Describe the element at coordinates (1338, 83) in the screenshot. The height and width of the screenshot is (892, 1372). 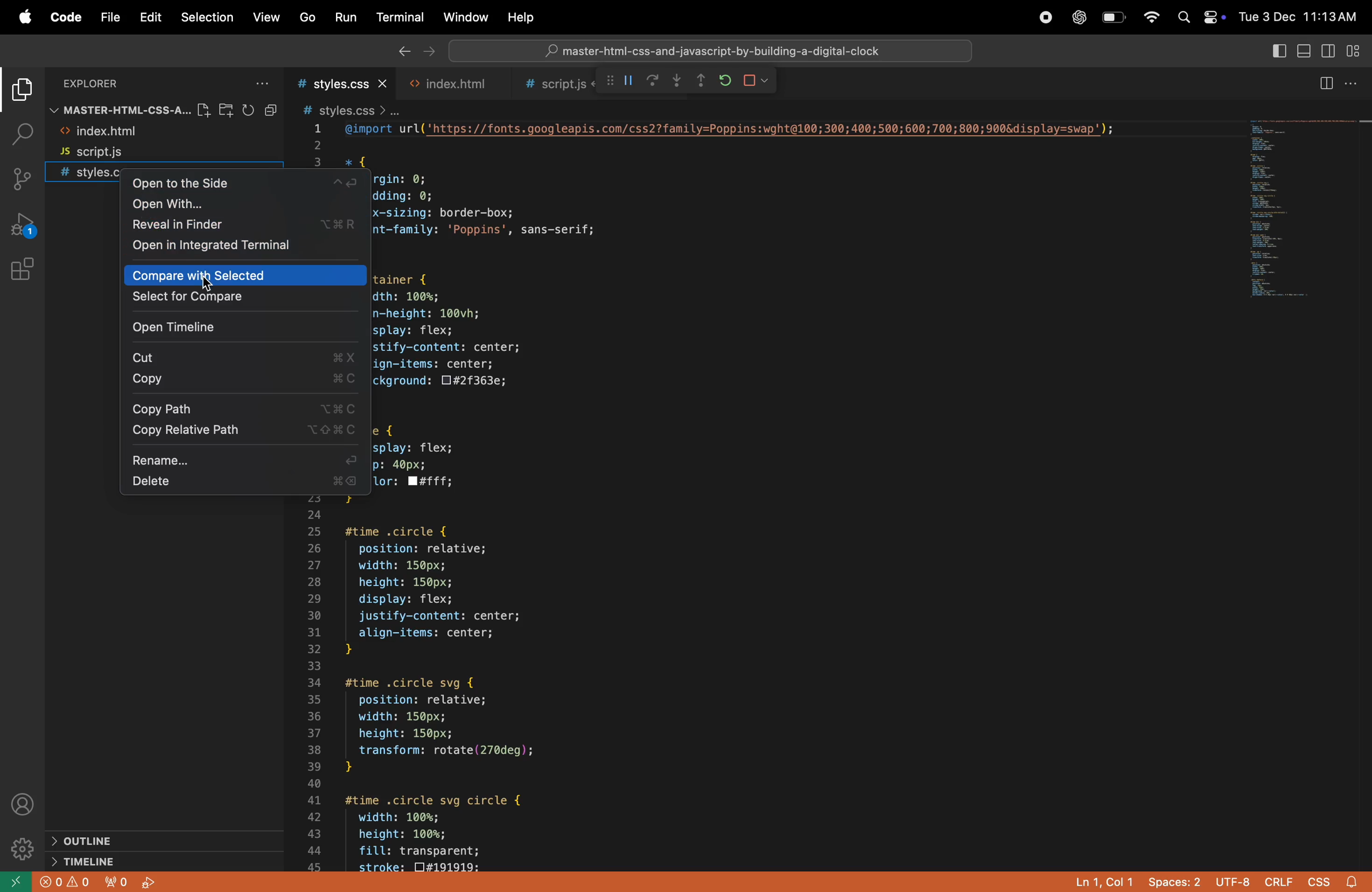
I see `split editor` at that location.